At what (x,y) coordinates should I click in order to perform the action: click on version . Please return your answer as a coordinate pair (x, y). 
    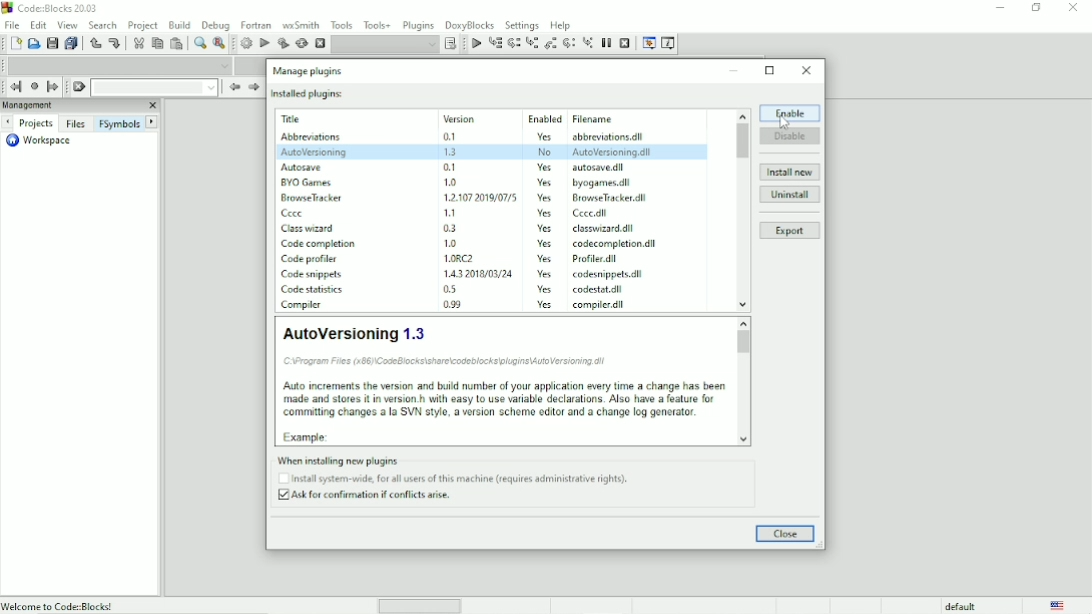
    Looking at the image, I should click on (450, 212).